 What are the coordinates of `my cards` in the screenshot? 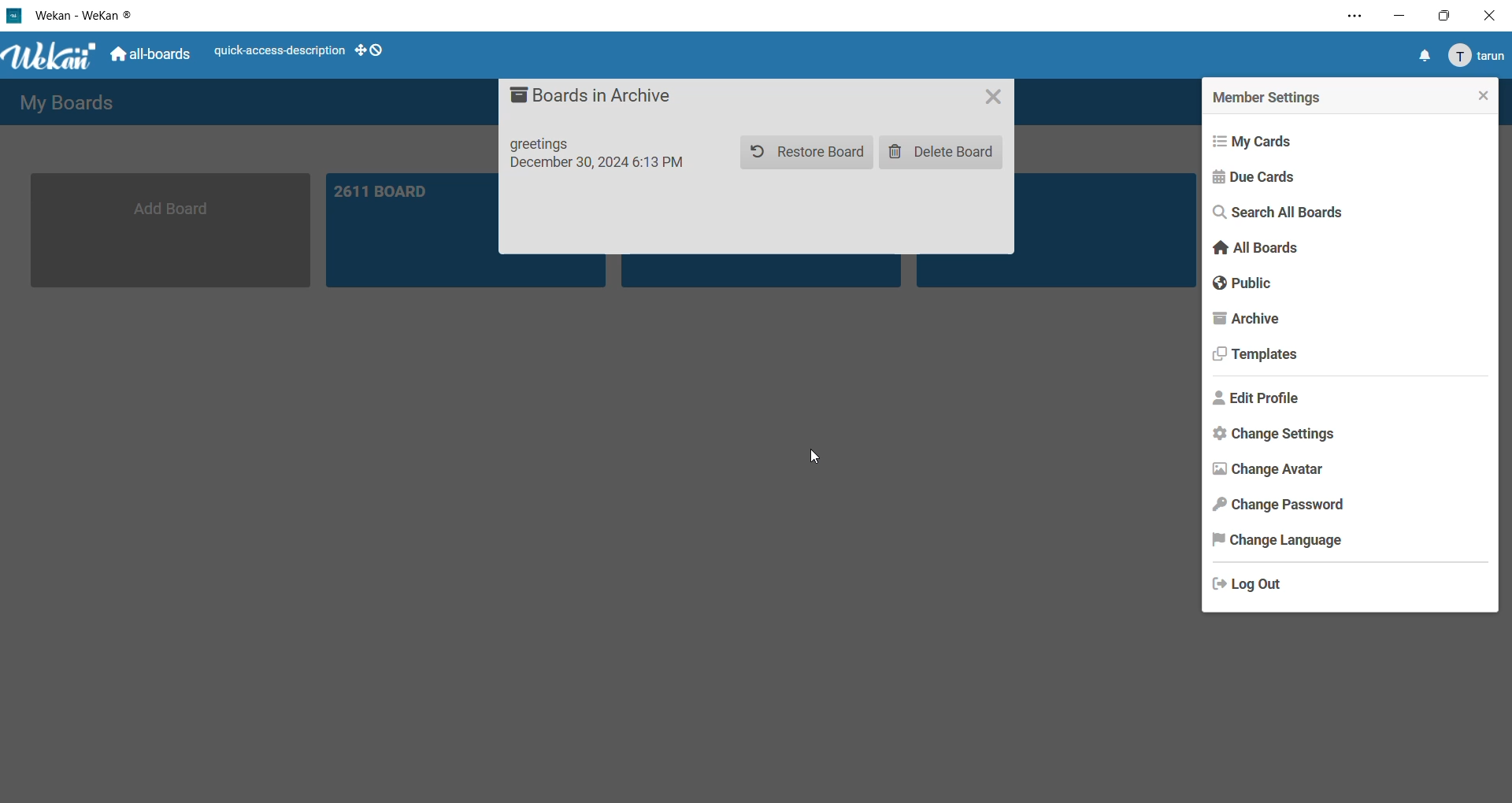 It's located at (1261, 139).